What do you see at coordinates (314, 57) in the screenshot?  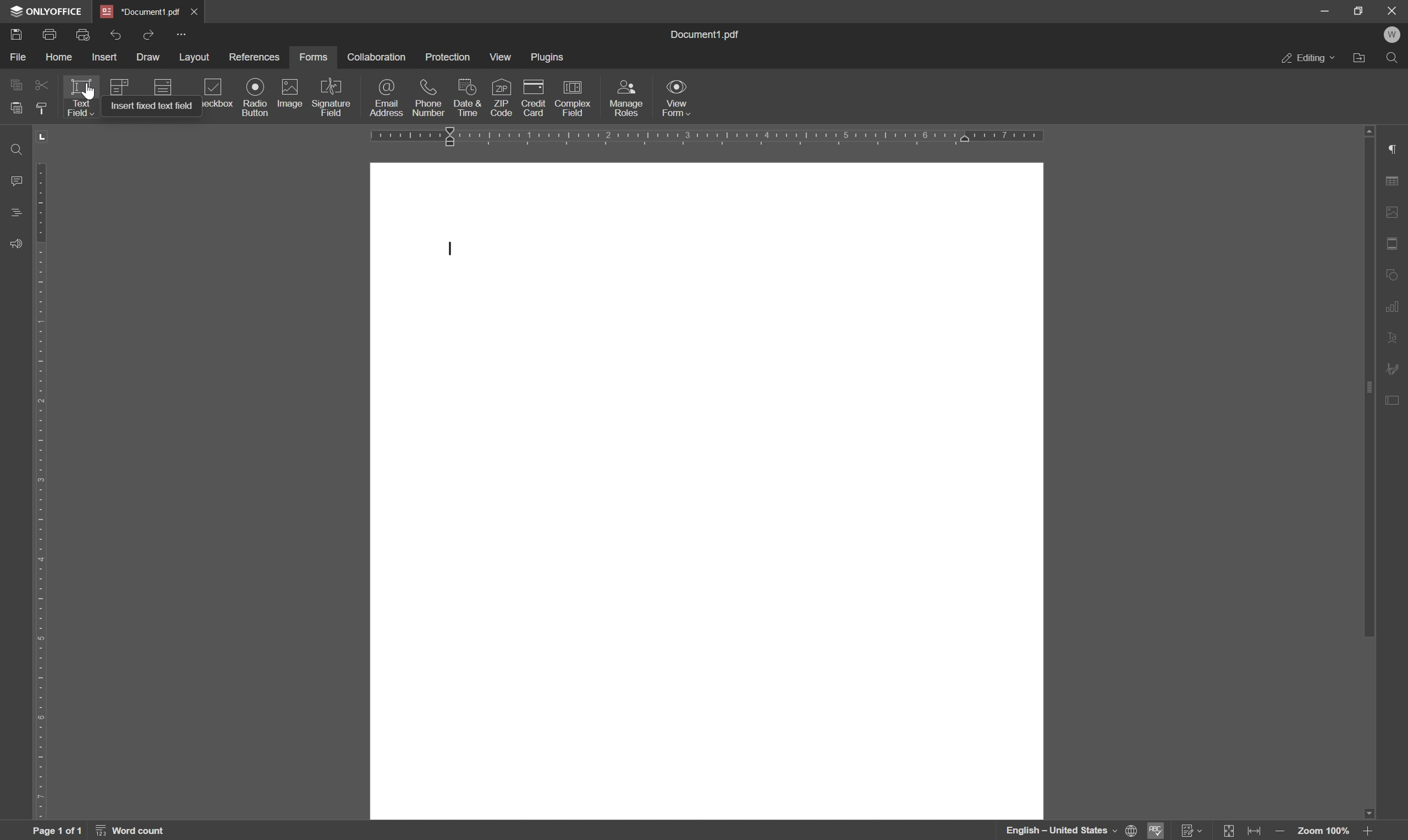 I see `forms` at bounding box center [314, 57].